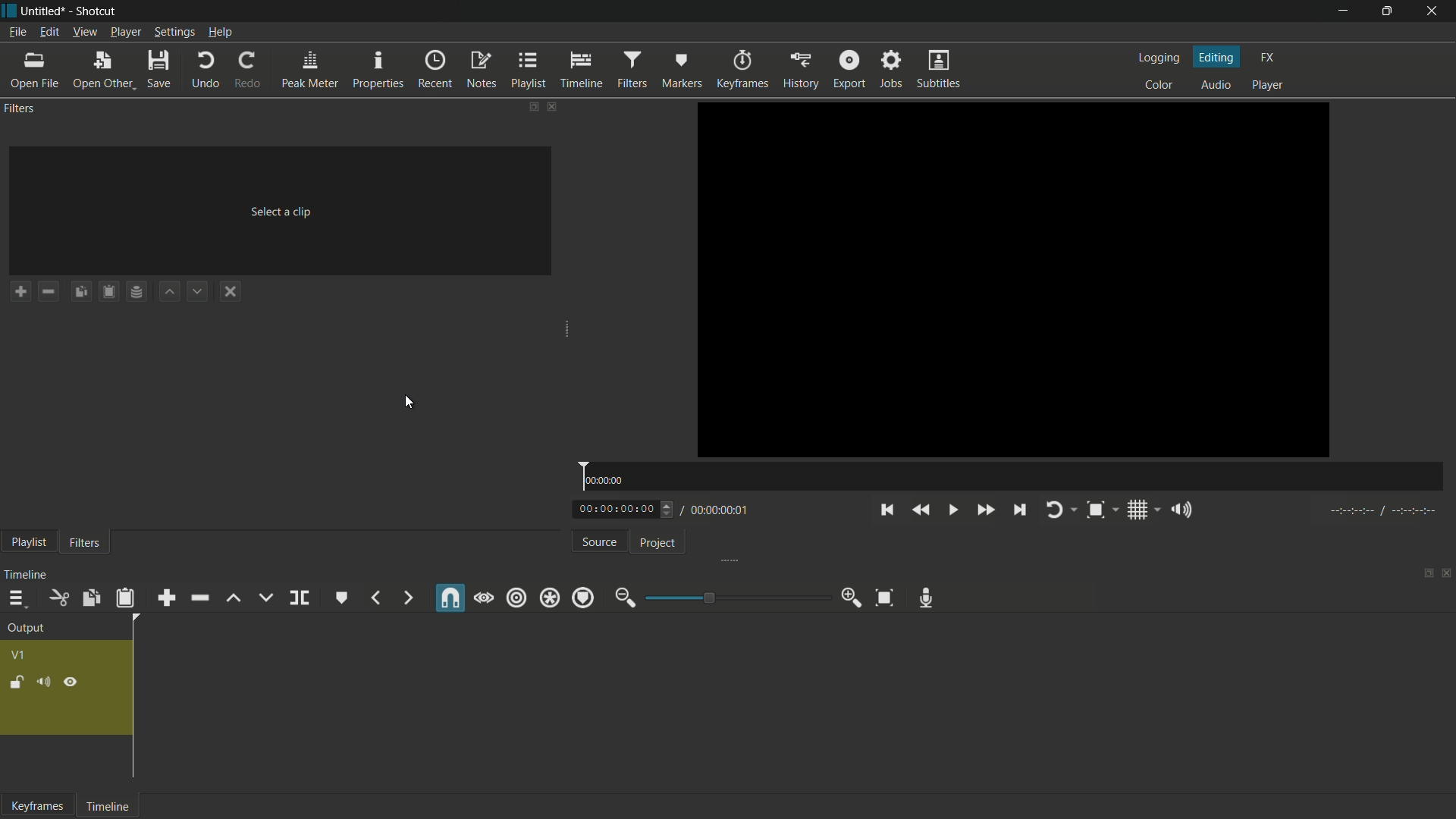 The width and height of the screenshot is (1456, 819). Describe the element at coordinates (17, 33) in the screenshot. I see `file menu` at that location.